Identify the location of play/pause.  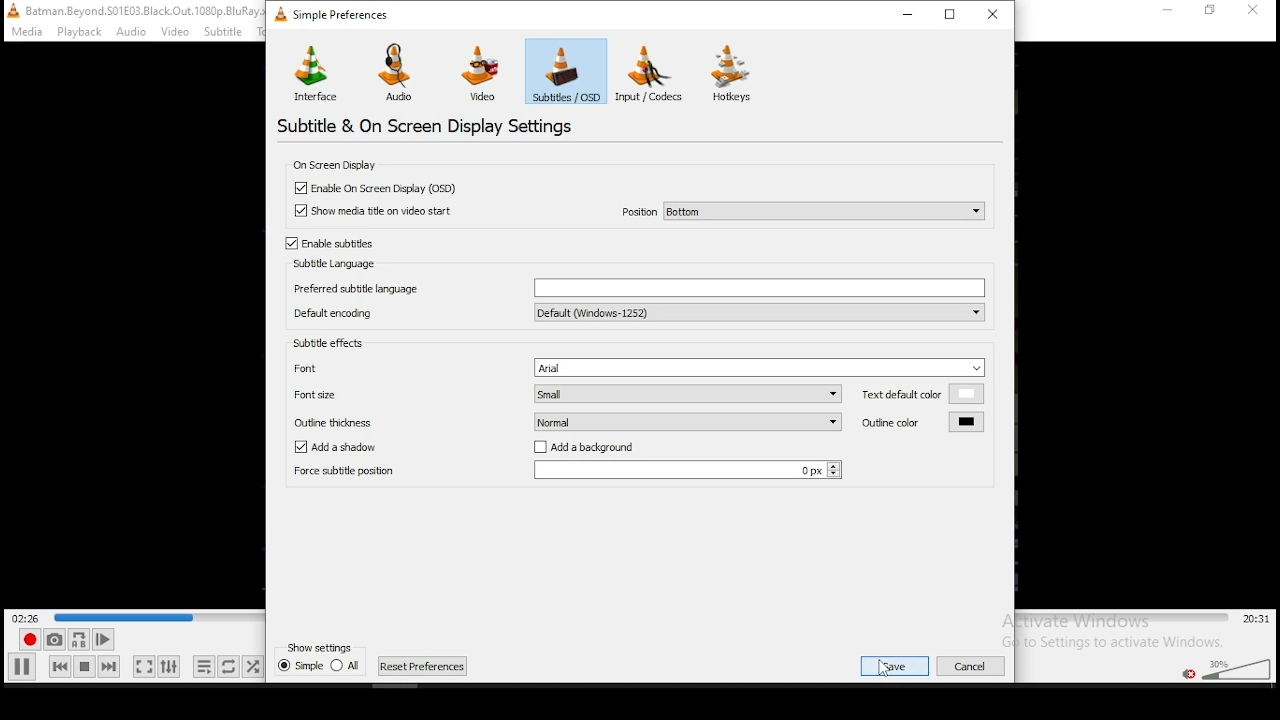
(23, 666).